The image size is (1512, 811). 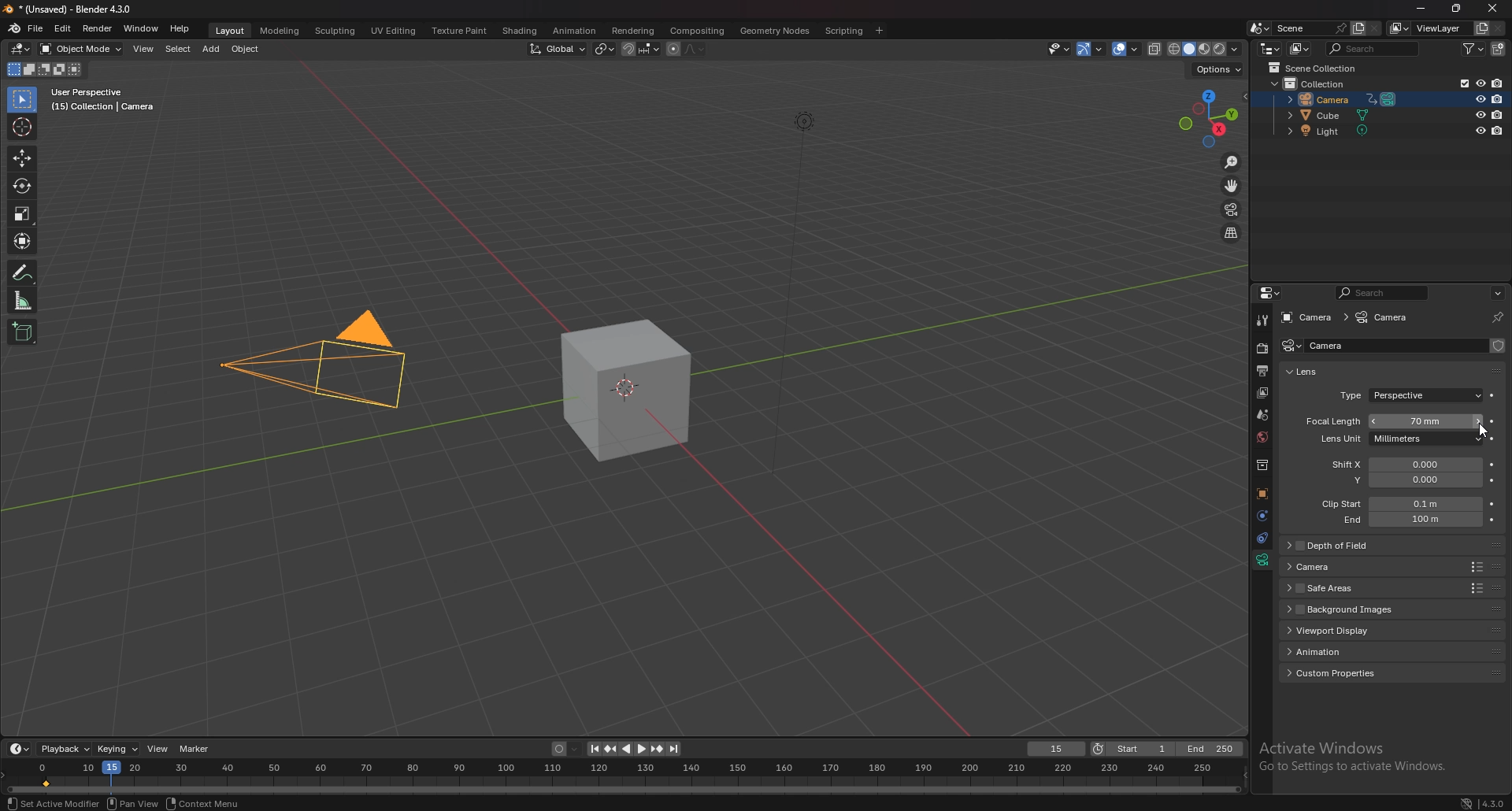 What do you see at coordinates (1291, 346) in the screenshot?
I see `camera` at bounding box center [1291, 346].